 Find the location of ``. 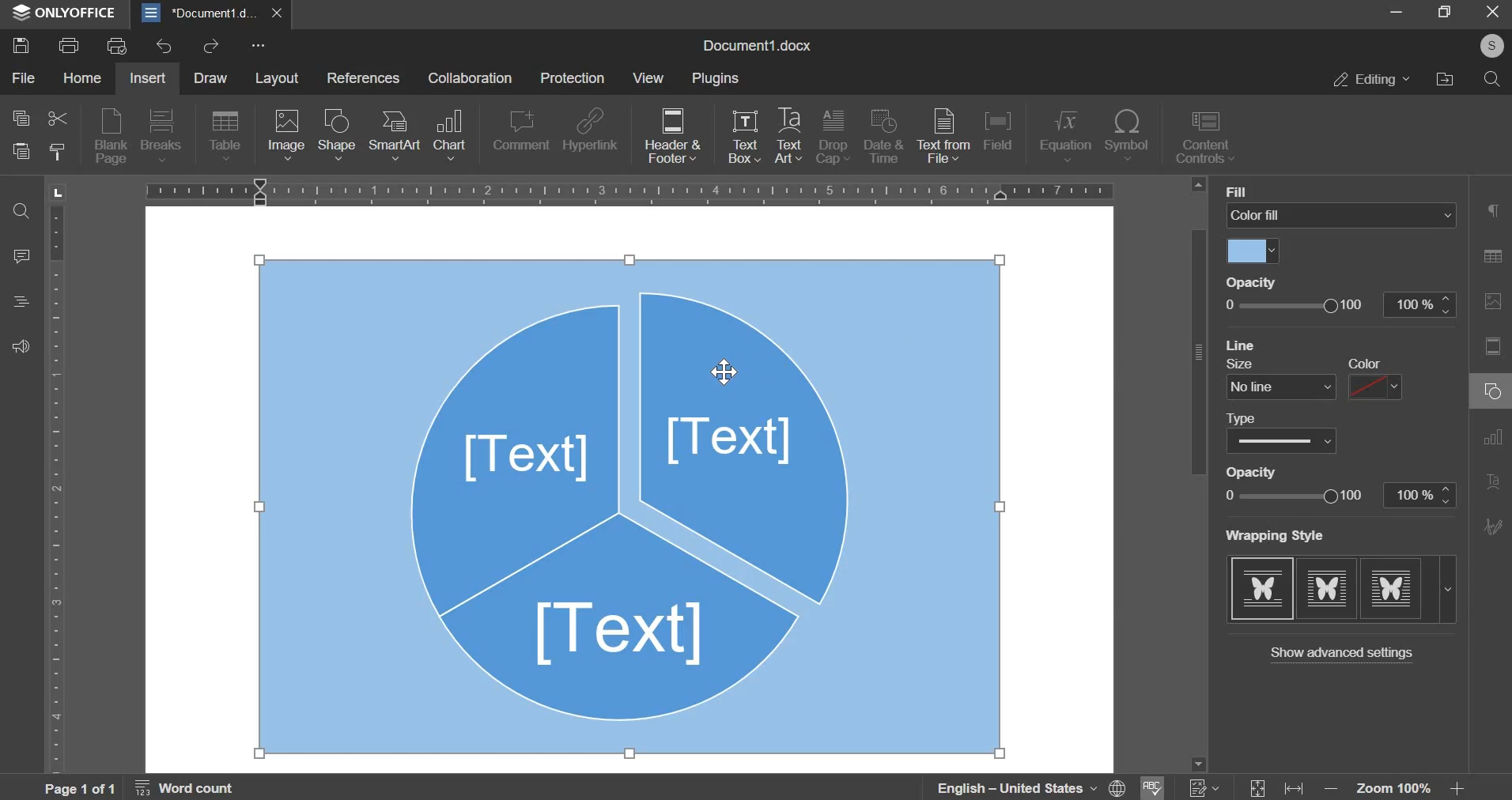

 is located at coordinates (1245, 345).